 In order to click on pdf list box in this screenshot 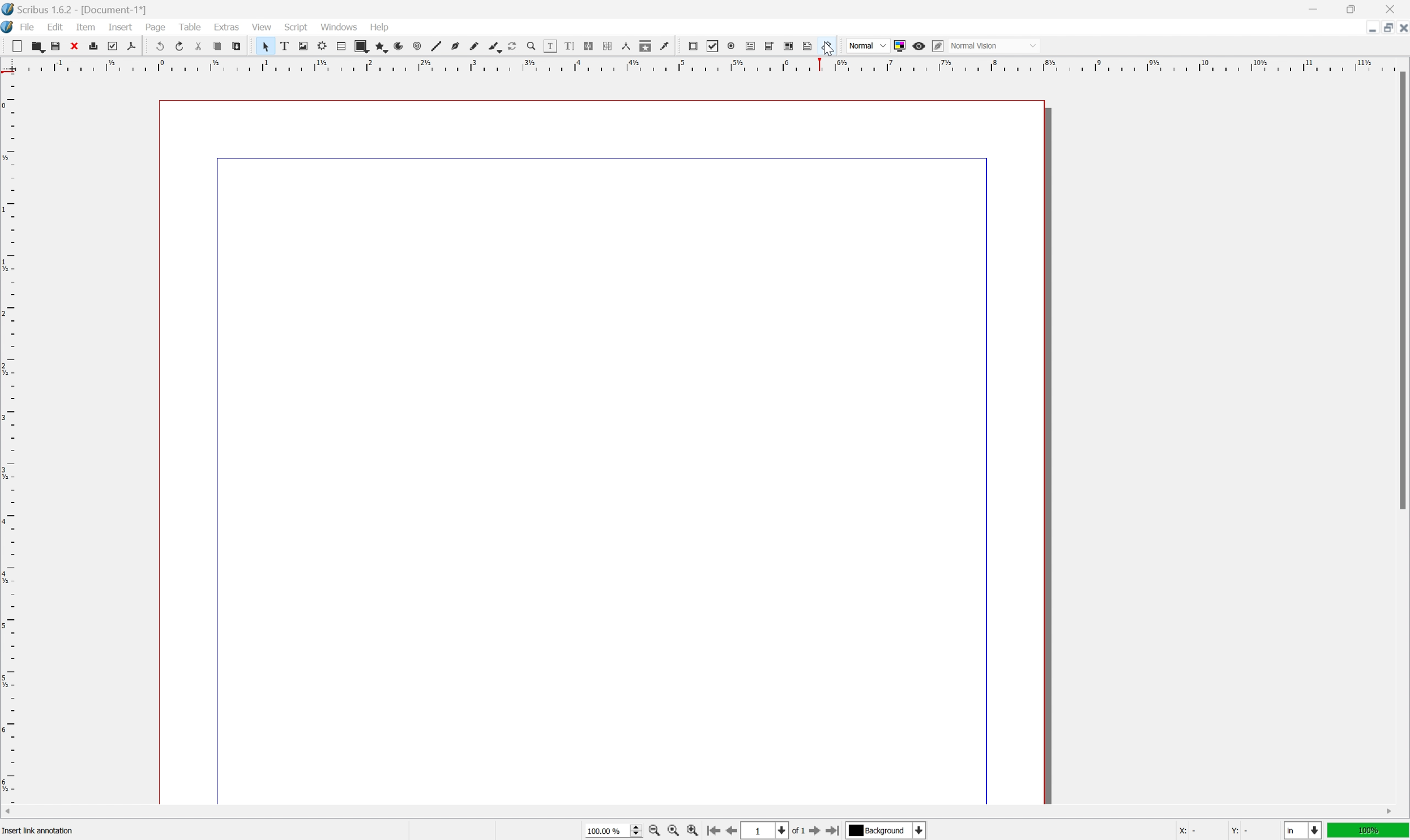, I will do `click(790, 45)`.